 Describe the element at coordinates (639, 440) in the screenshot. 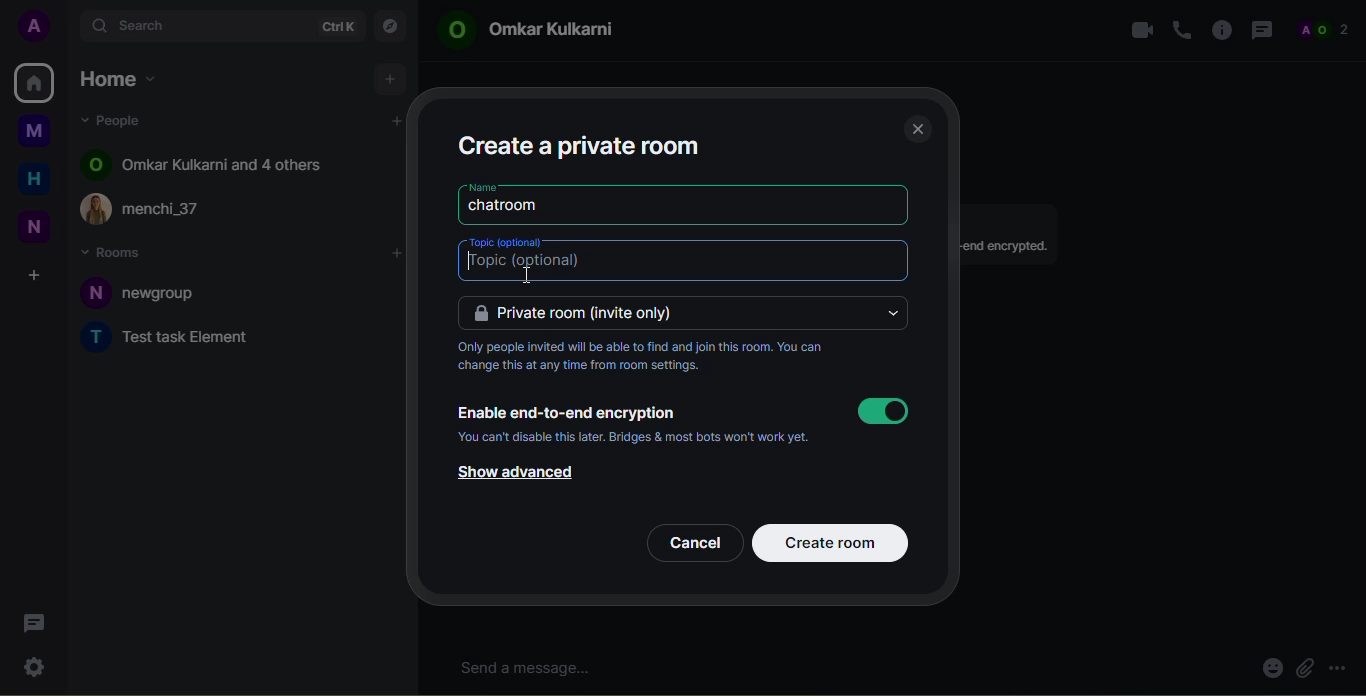

I see `‘You can't disable this later. Bridges & most bots won't work yet.` at that location.